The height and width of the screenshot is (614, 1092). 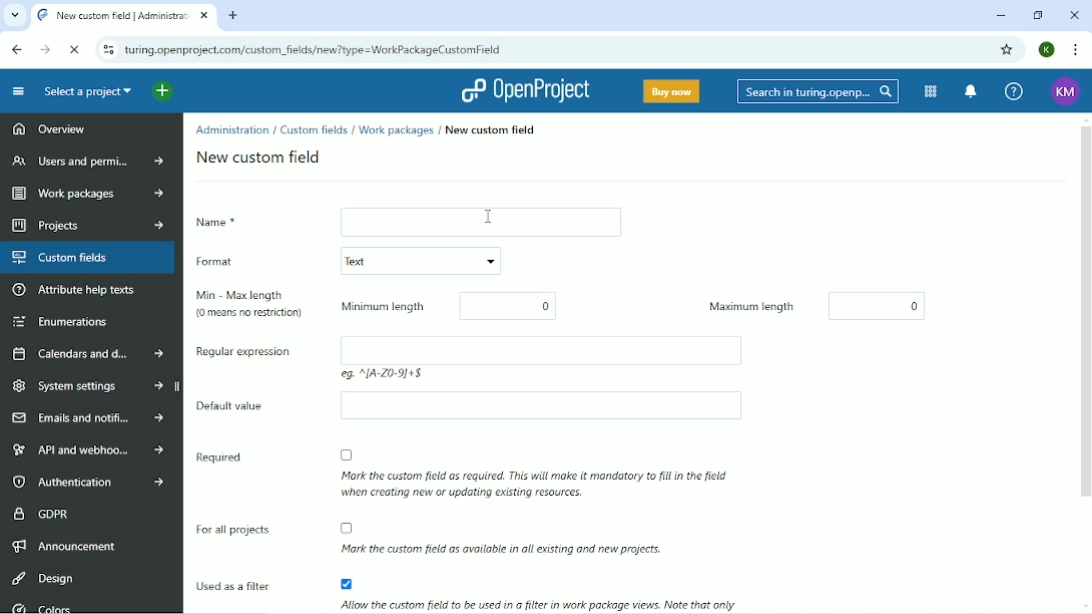 What do you see at coordinates (382, 375) in the screenshot?
I see `eg: ^(A-Z 0-9)+$` at bounding box center [382, 375].